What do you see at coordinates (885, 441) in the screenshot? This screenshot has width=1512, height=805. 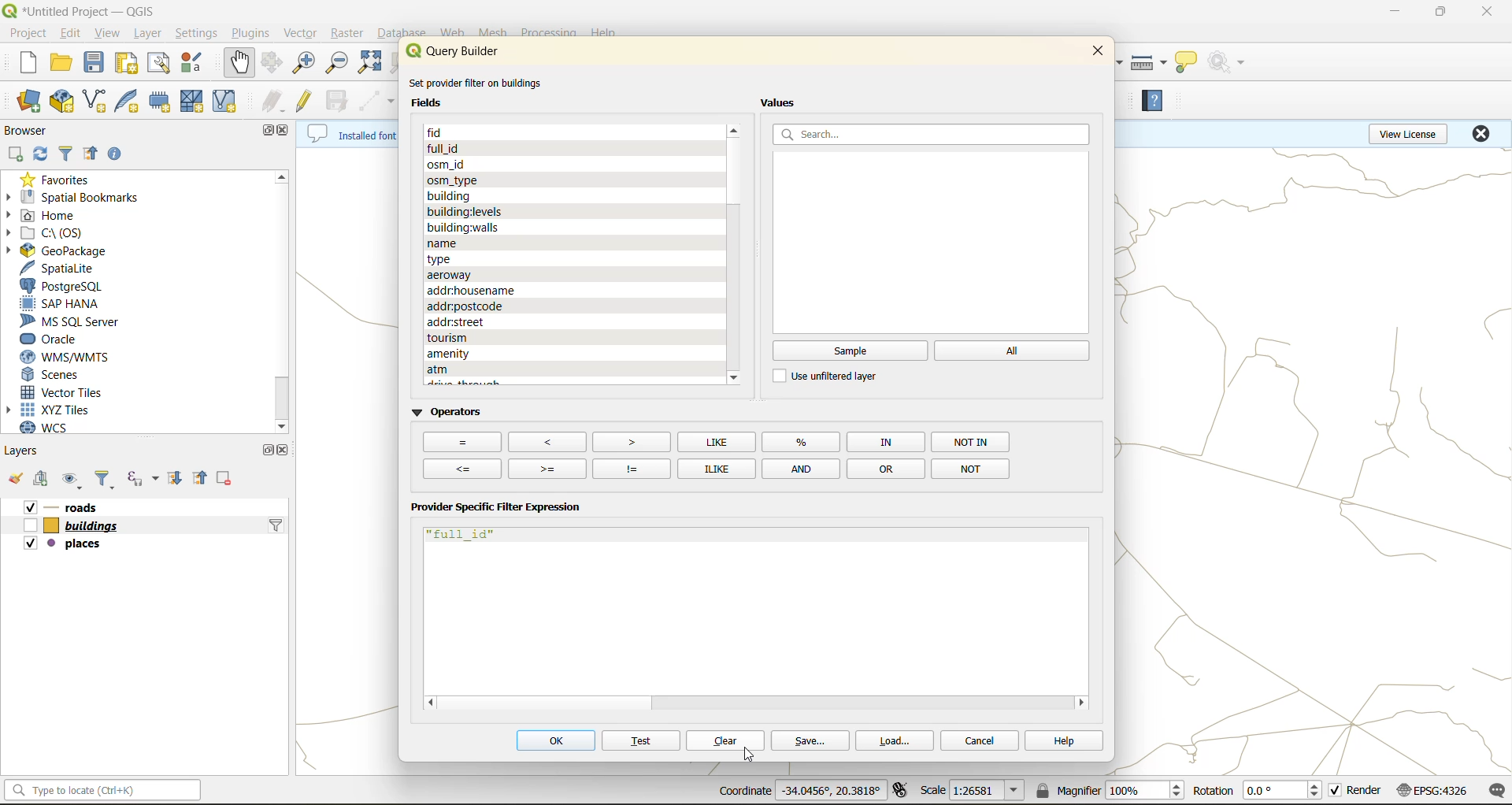 I see `opertators` at bounding box center [885, 441].